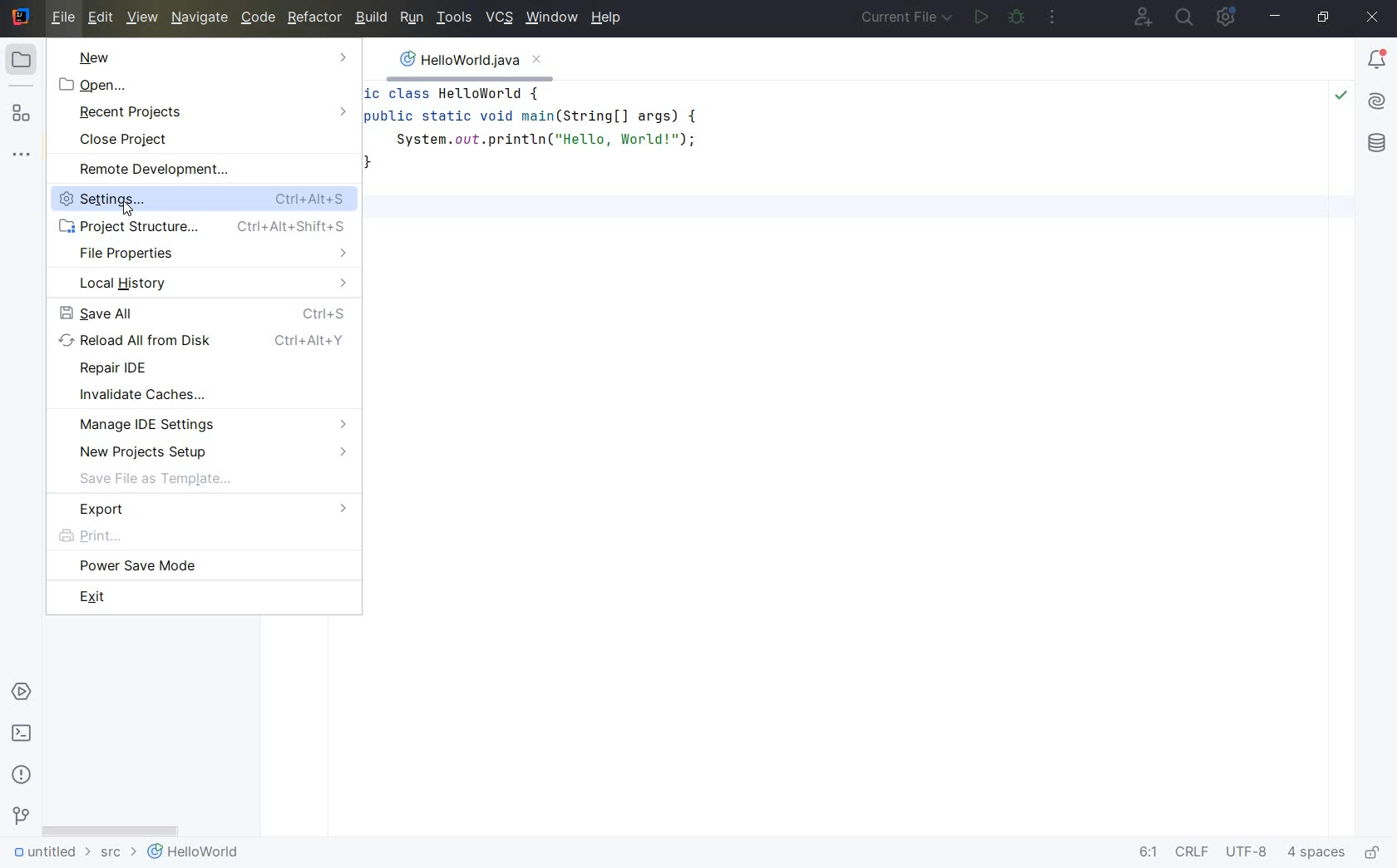  Describe the element at coordinates (980, 18) in the screenshot. I see `run` at that location.